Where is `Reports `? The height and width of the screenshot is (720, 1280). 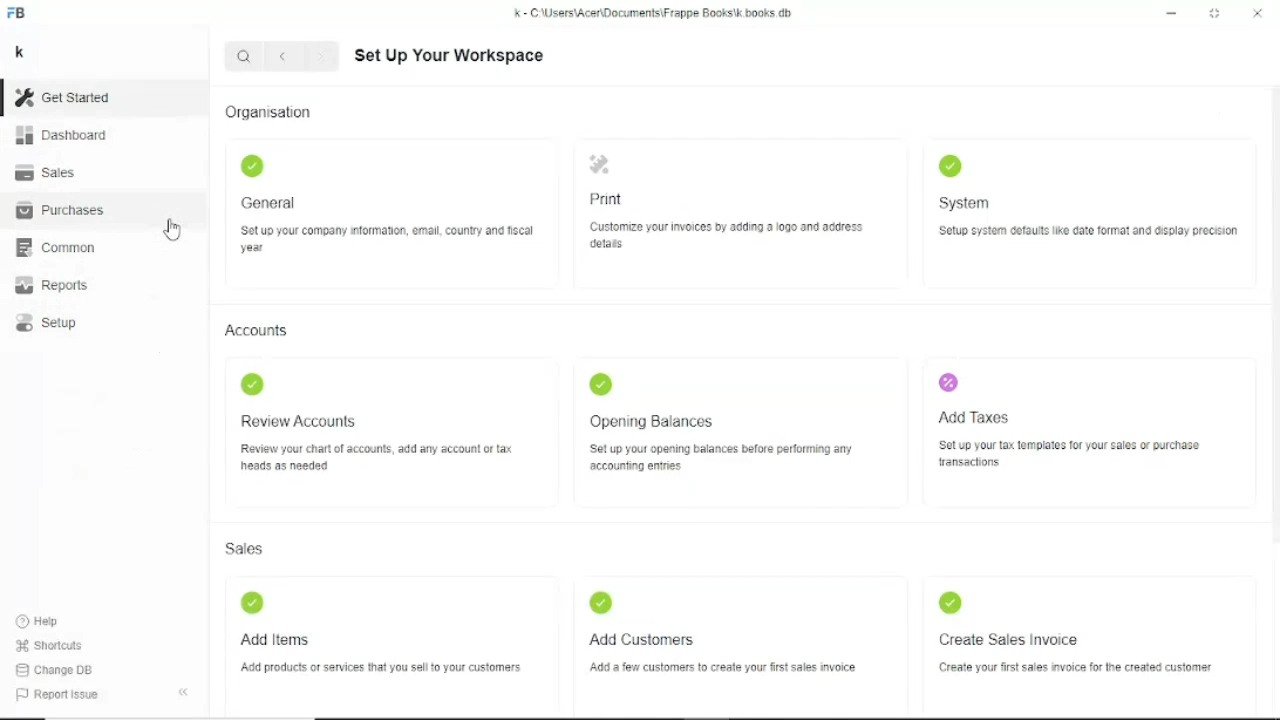
Reports  is located at coordinates (51, 285).